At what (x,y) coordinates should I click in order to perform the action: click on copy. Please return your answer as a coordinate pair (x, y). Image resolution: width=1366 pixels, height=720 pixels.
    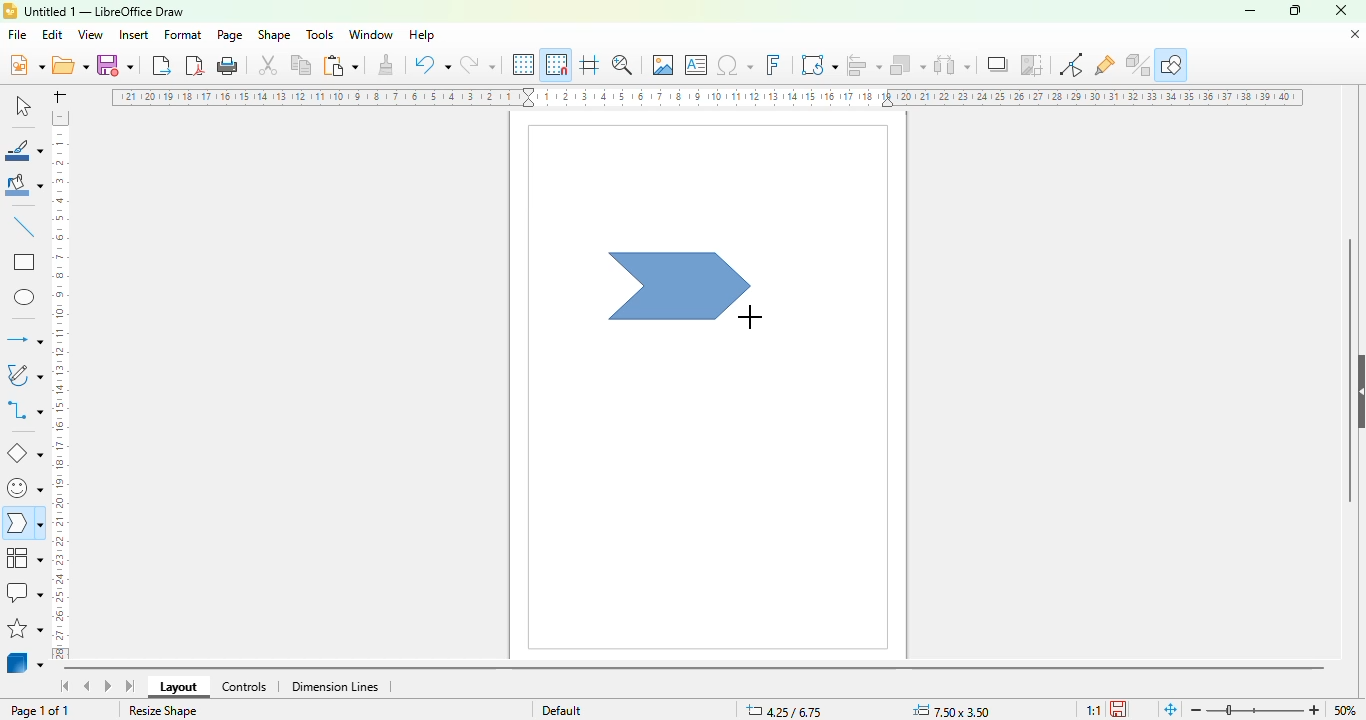
    Looking at the image, I should click on (301, 65).